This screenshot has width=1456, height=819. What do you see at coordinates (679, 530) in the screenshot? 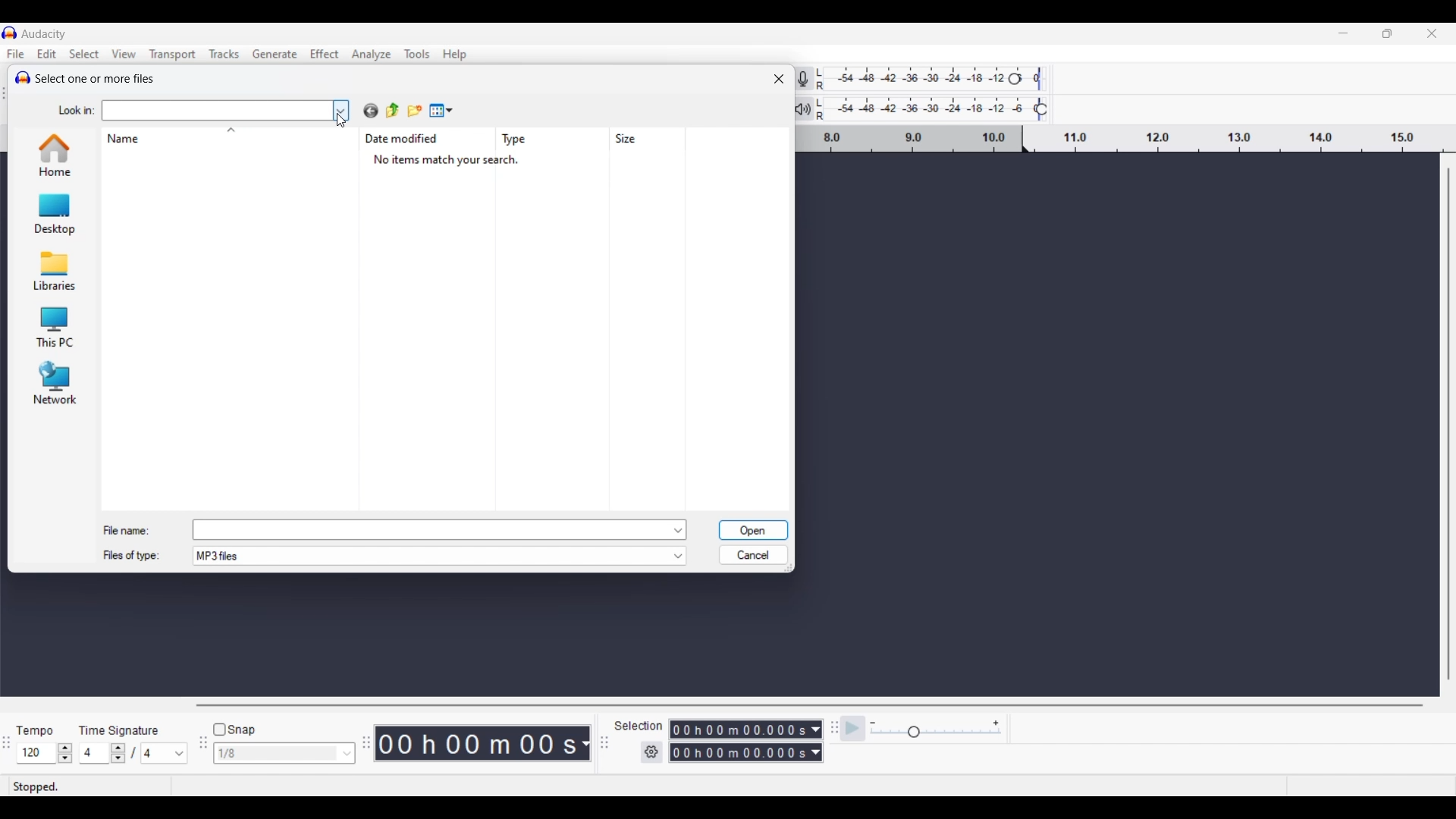
I see `File name options` at bounding box center [679, 530].